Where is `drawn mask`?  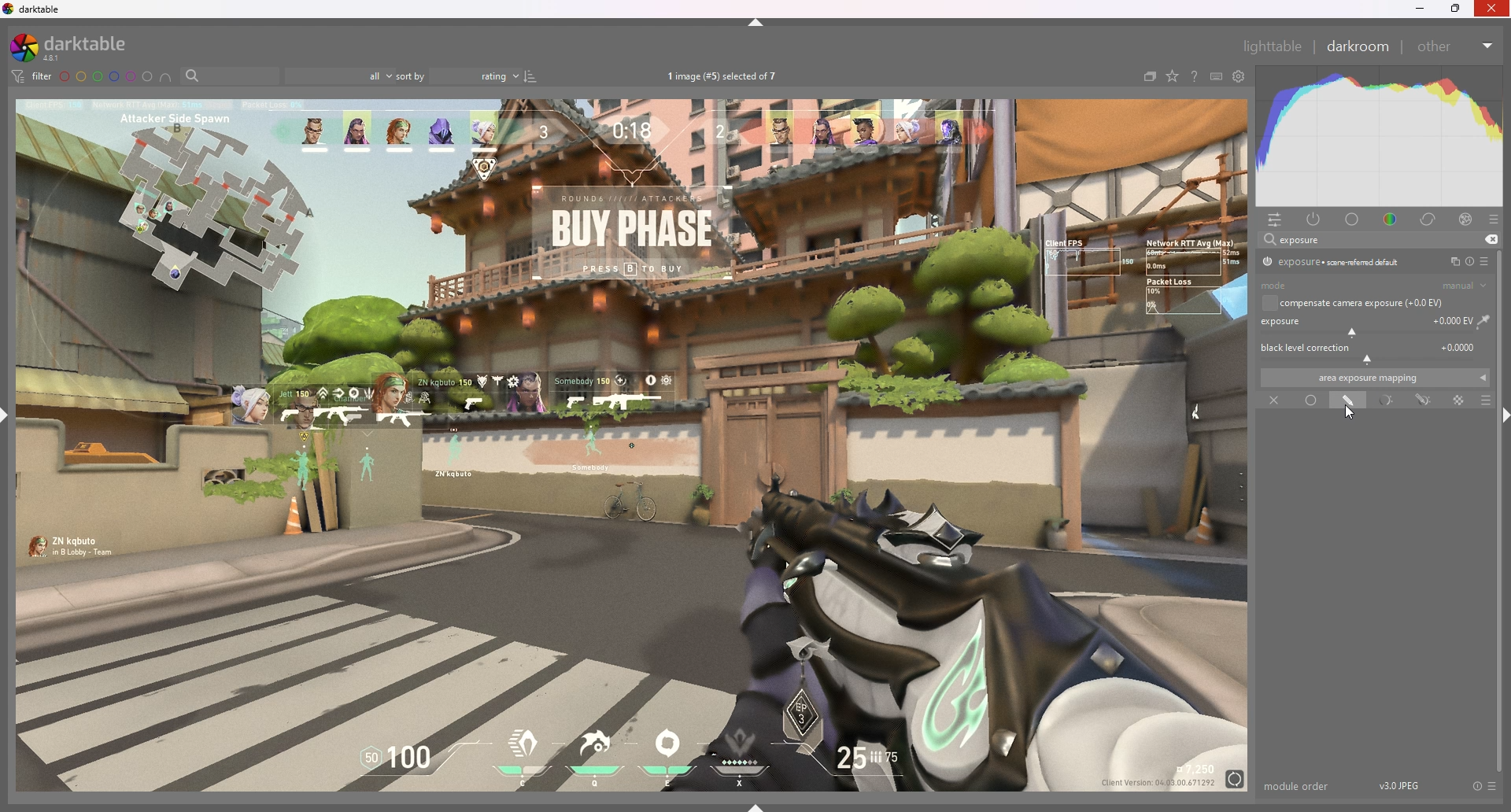 drawn mask is located at coordinates (1347, 401).